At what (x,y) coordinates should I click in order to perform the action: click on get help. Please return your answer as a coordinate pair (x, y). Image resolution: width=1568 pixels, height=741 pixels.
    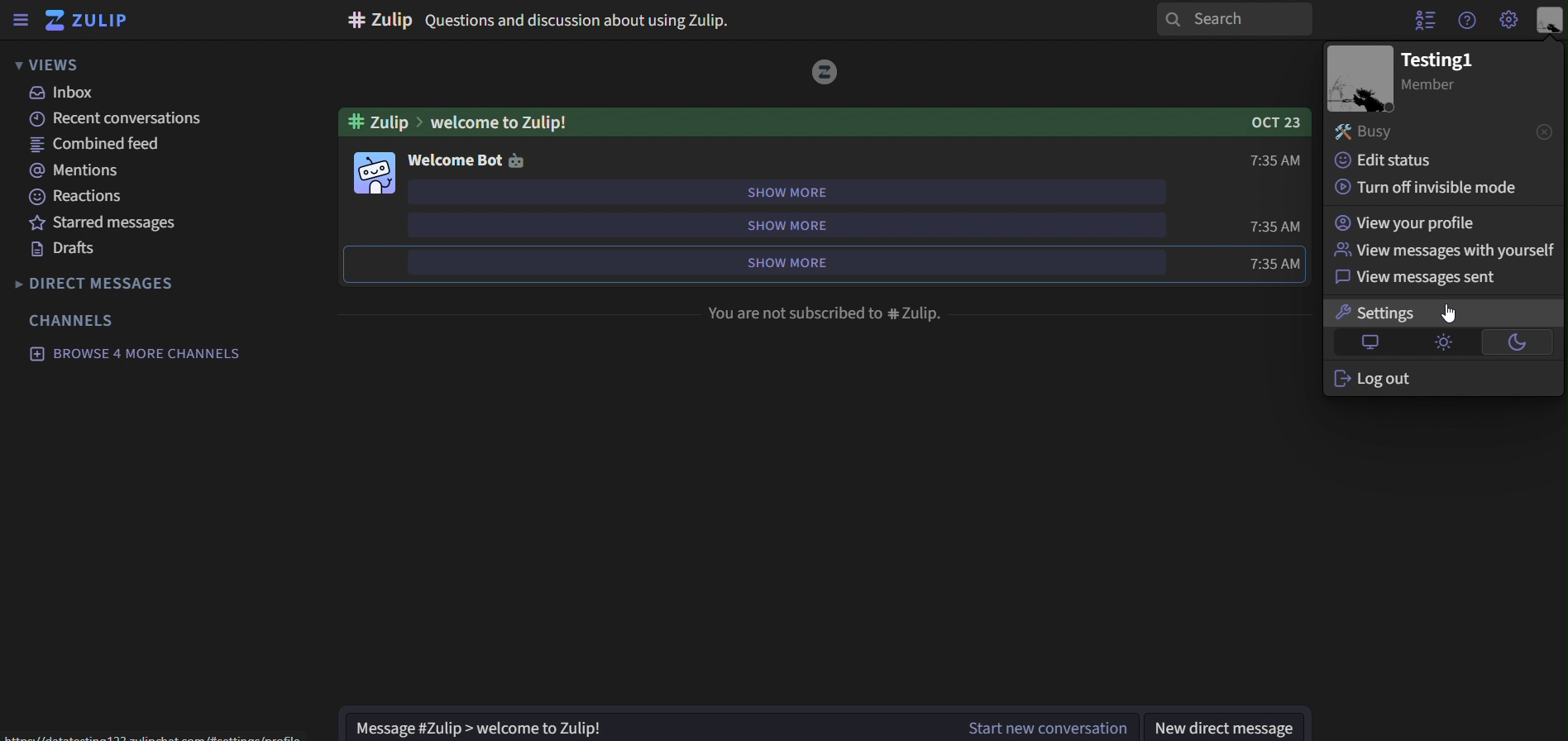
    Looking at the image, I should click on (1469, 21).